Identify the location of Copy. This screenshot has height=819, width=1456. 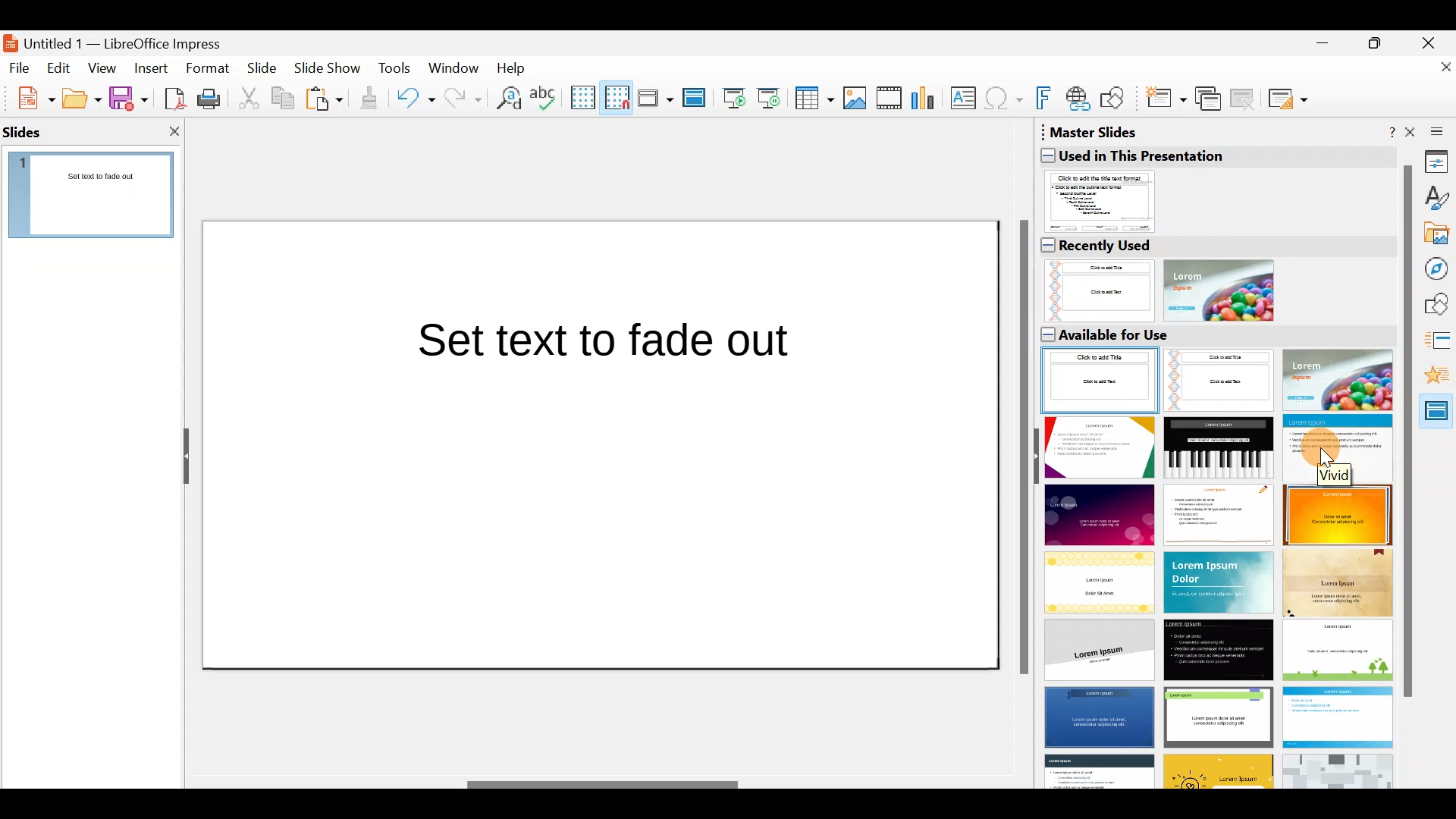
(281, 99).